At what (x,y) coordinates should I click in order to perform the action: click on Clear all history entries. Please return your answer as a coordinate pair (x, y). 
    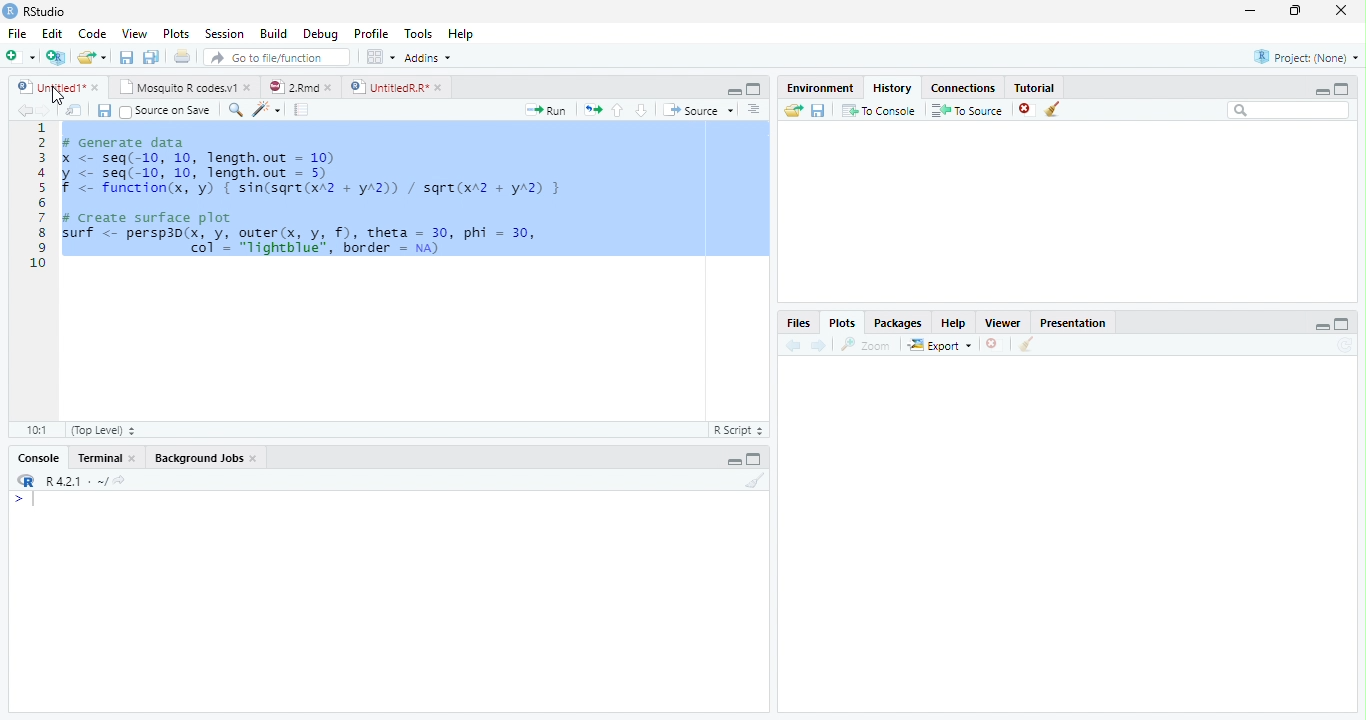
    Looking at the image, I should click on (1052, 109).